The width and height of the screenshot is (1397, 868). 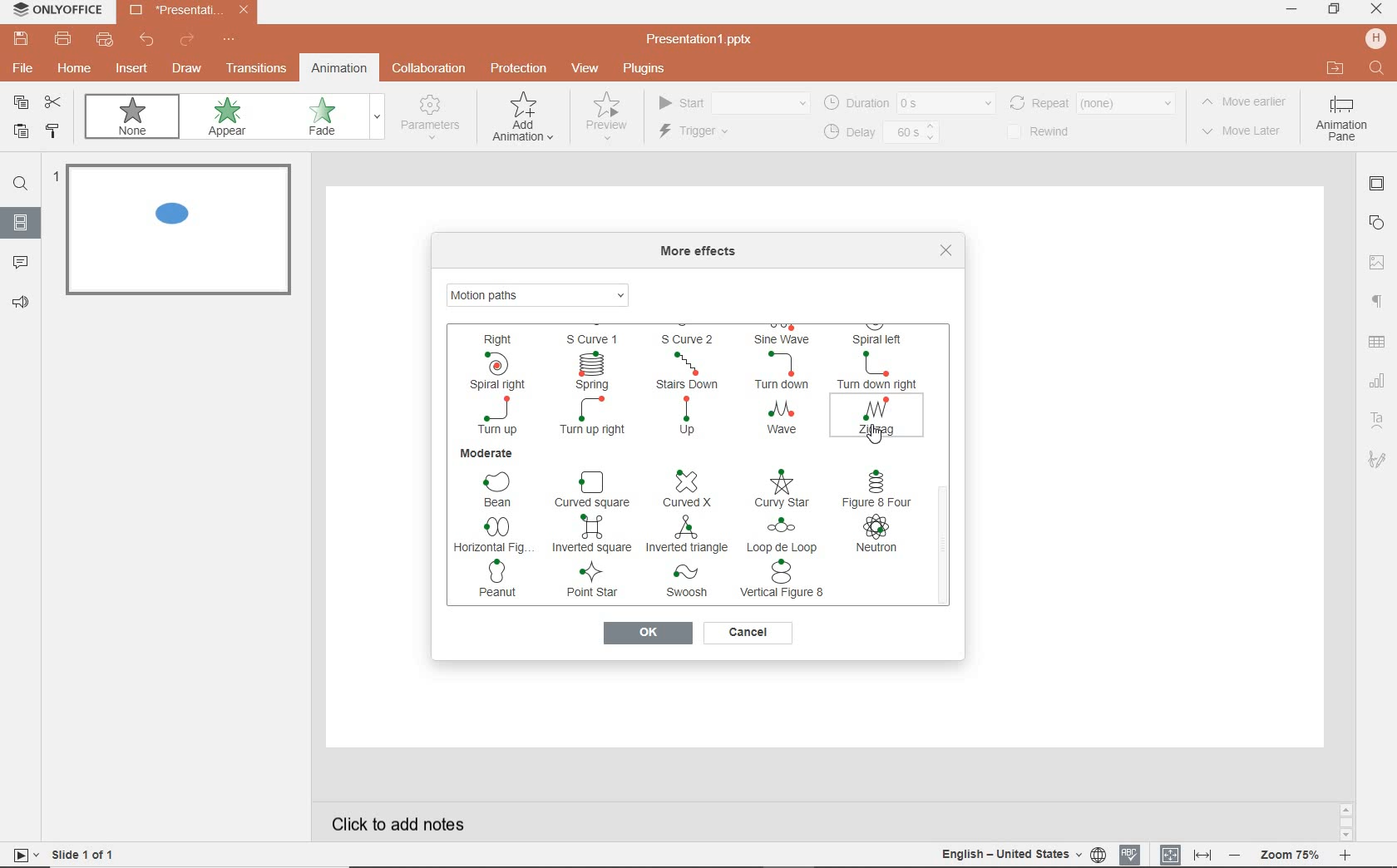 What do you see at coordinates (946, 250) in the screenshot?
I see `CLOSE` at bounding box center [946, 250].